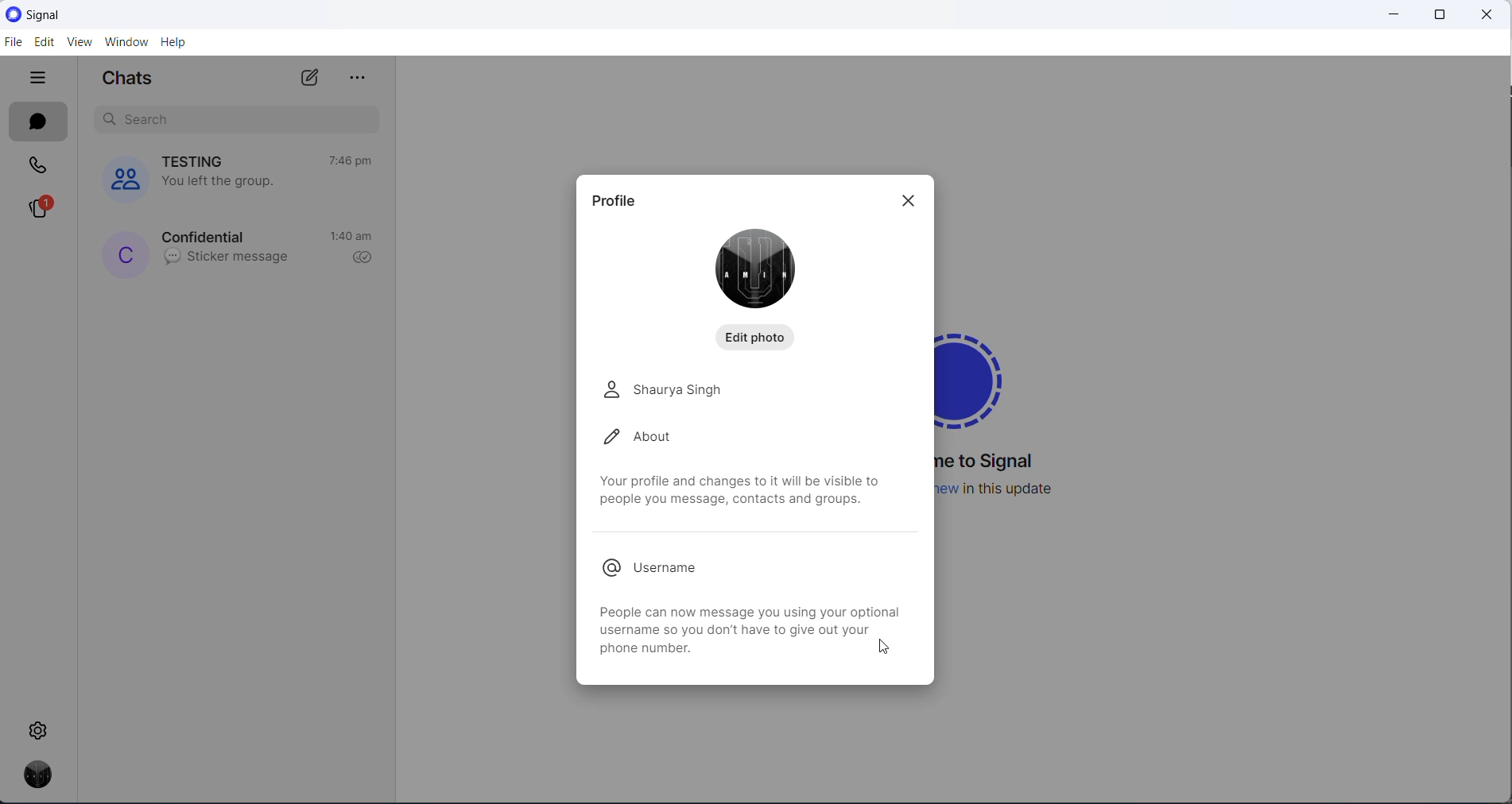 The height and width of the screenshot is (804, 1512). What do you see at coordinates (1008, 489) in the screenshot?
I see `new update information` at bounding box center [1008, 489].